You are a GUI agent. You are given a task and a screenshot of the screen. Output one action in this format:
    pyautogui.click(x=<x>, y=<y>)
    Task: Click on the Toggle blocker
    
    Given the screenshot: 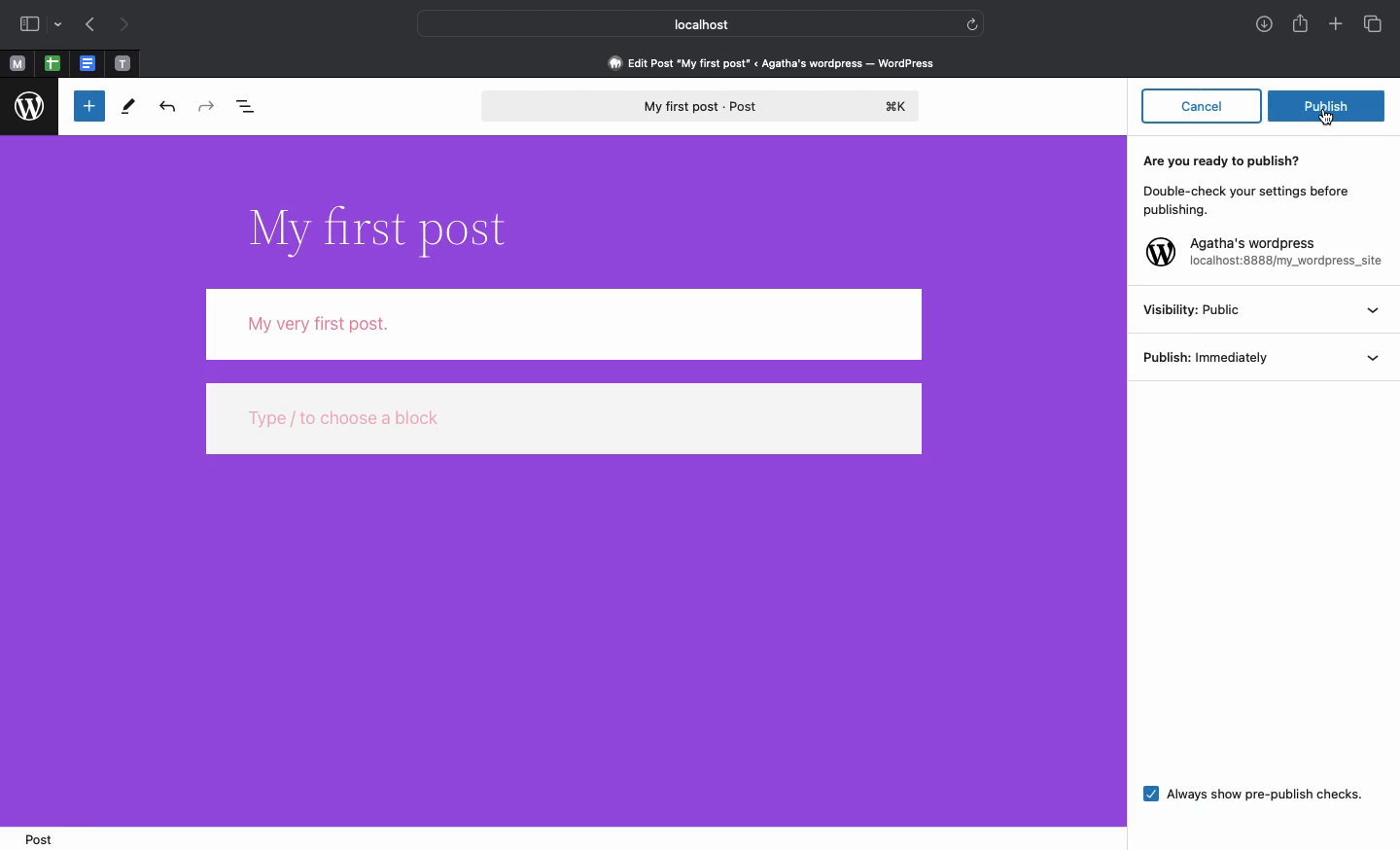 What is the action you would take?
    pyautogui.click(x=89, y=105)
    